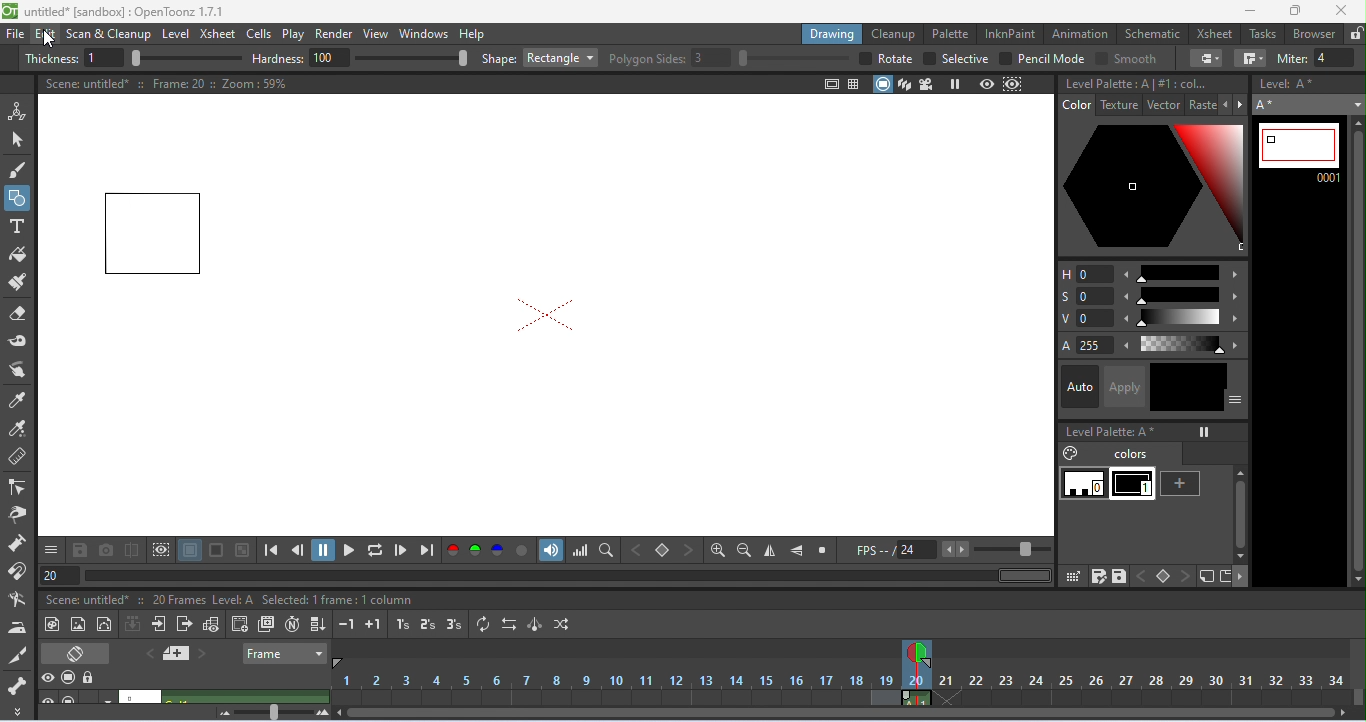 This screenshot has width=1366, height=722. Describe the element at coordinates (374, 549) in the screenshot. I see `loop` at that location.